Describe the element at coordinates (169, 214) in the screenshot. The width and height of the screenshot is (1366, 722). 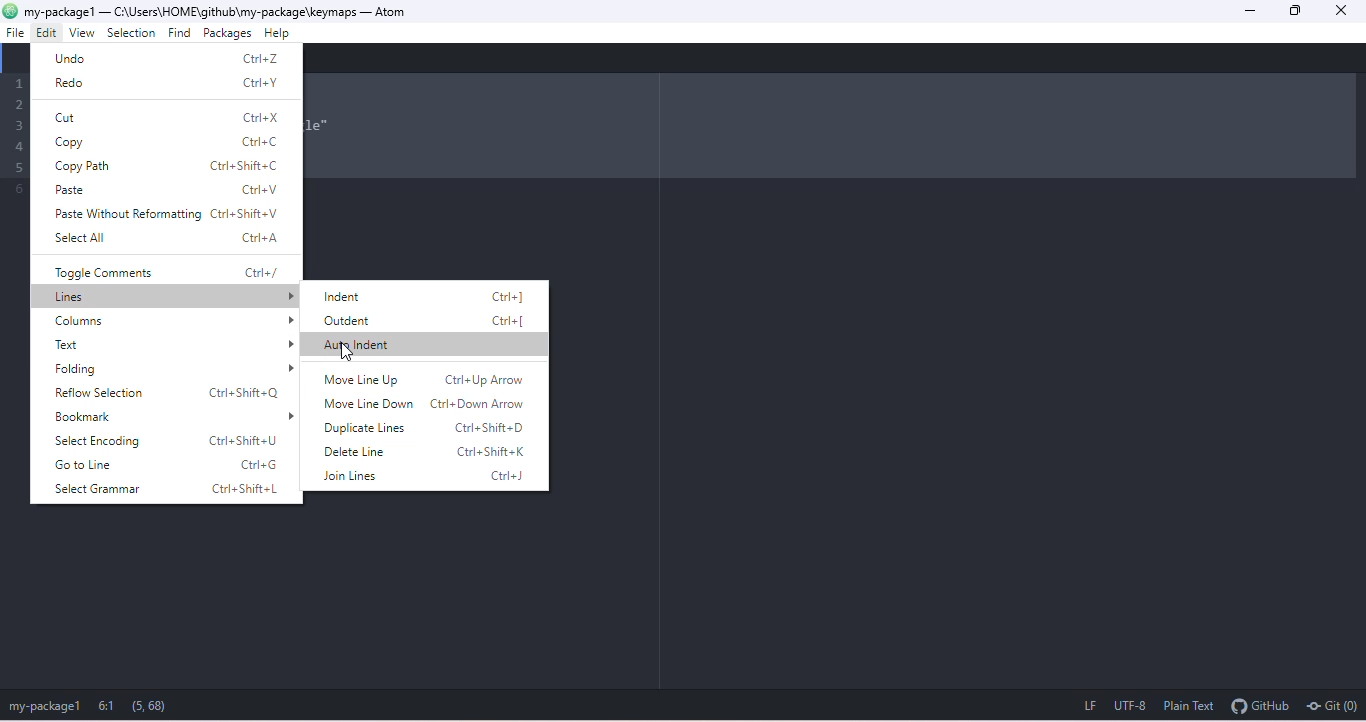
I see `paste without reforming ` at that location.